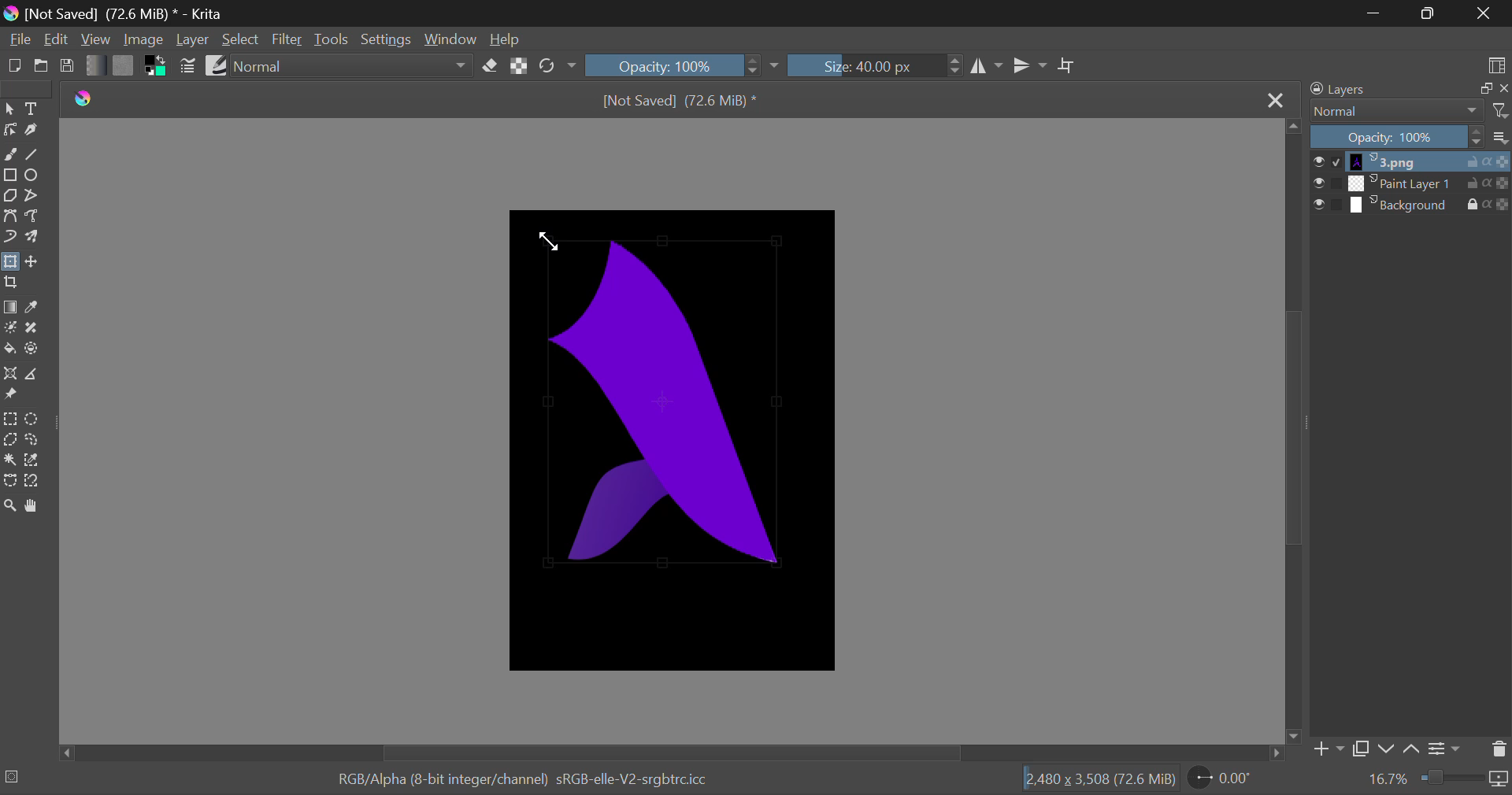  I want to click on dropdown, so click(775, 65).